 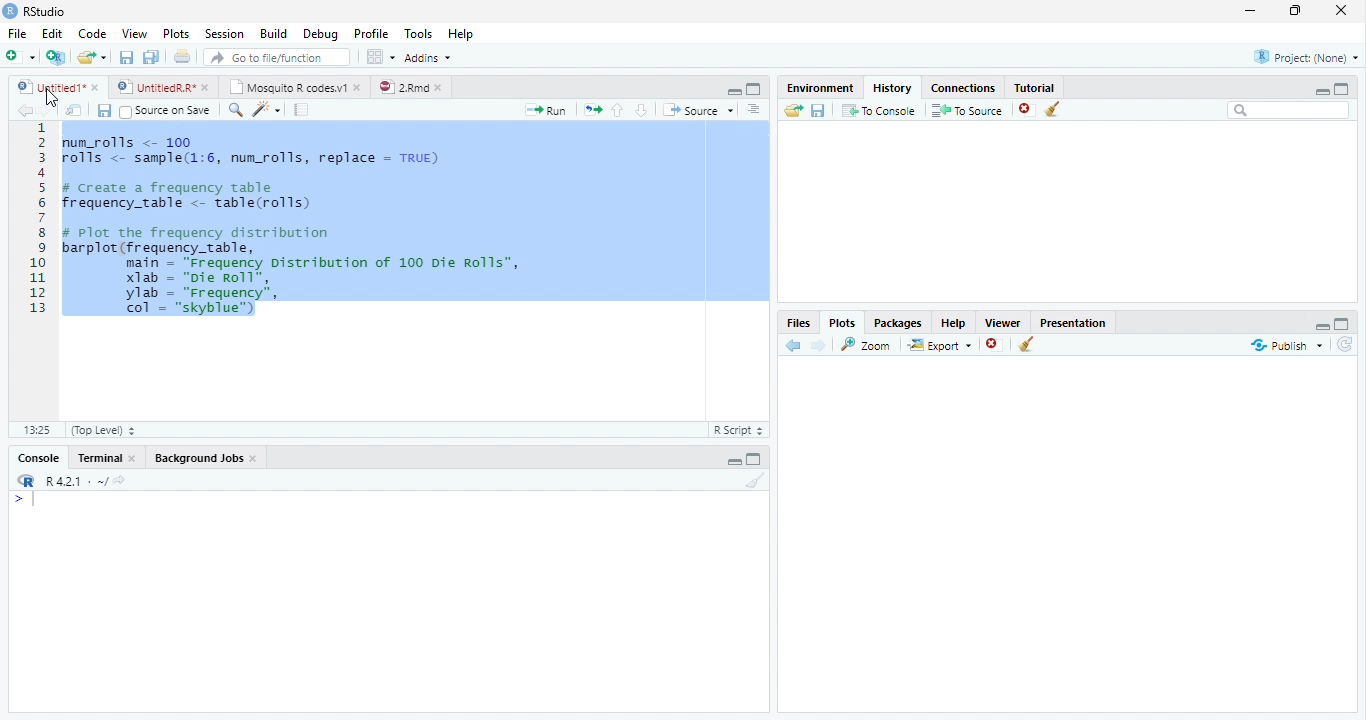 I want to click on Minimize Height, so click(x=1321, y=91).